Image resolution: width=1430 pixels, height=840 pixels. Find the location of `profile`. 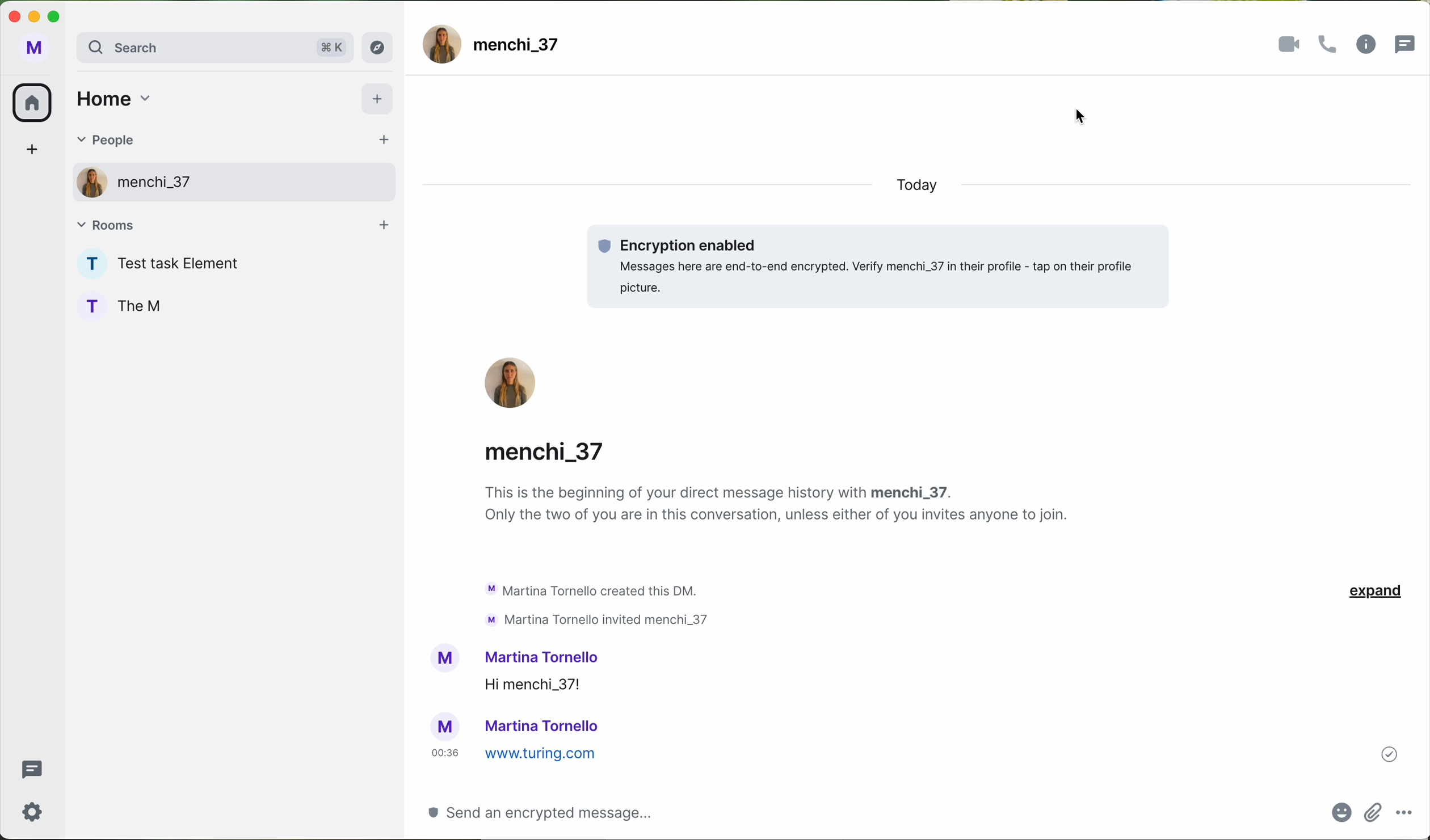

profile is located at coordinates (88, 264).